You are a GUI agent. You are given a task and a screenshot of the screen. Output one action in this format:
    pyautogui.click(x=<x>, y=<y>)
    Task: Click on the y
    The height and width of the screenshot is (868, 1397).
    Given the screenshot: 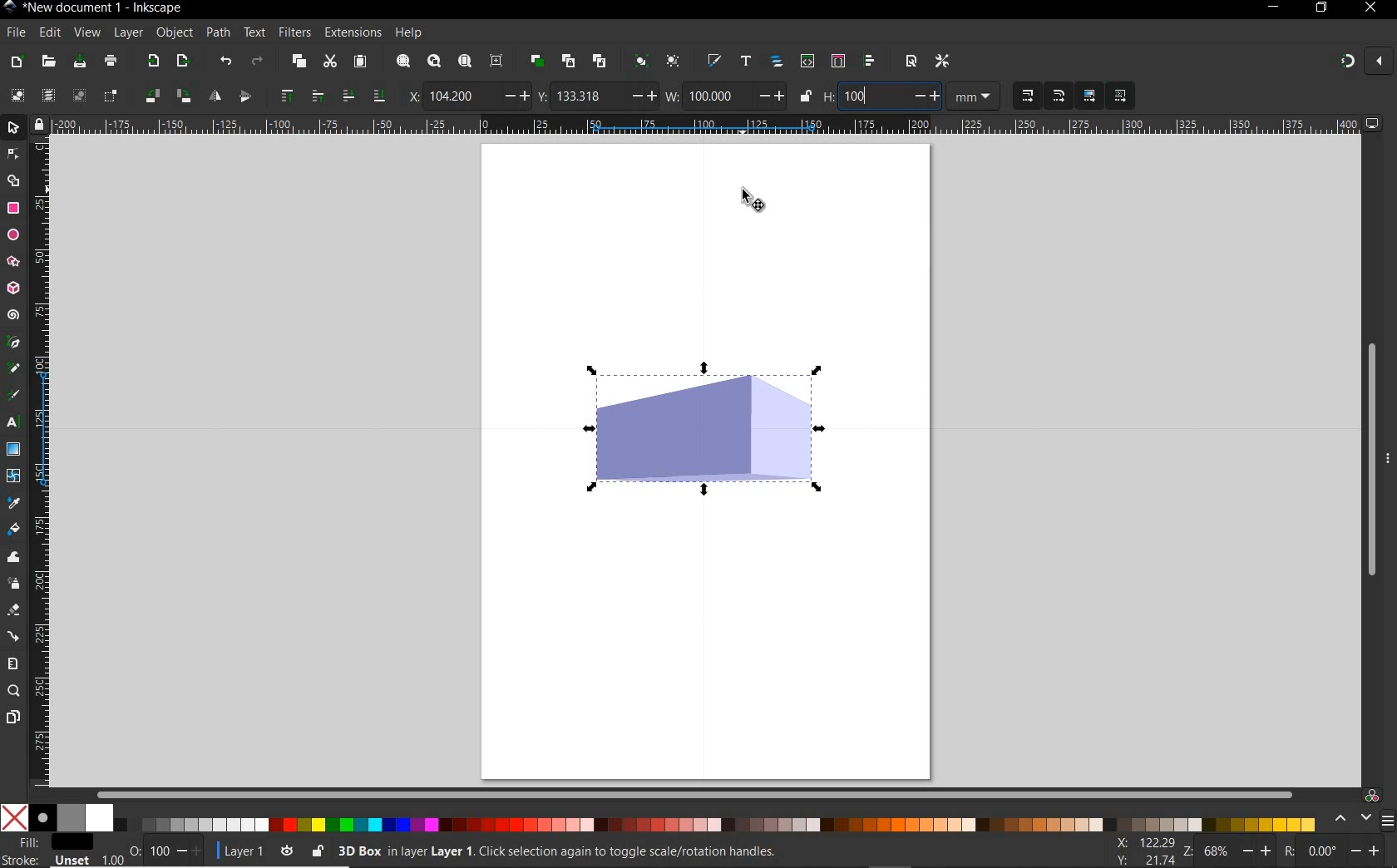 What is the action you would take?
    pyautogui.click(x=543, y=96)
    